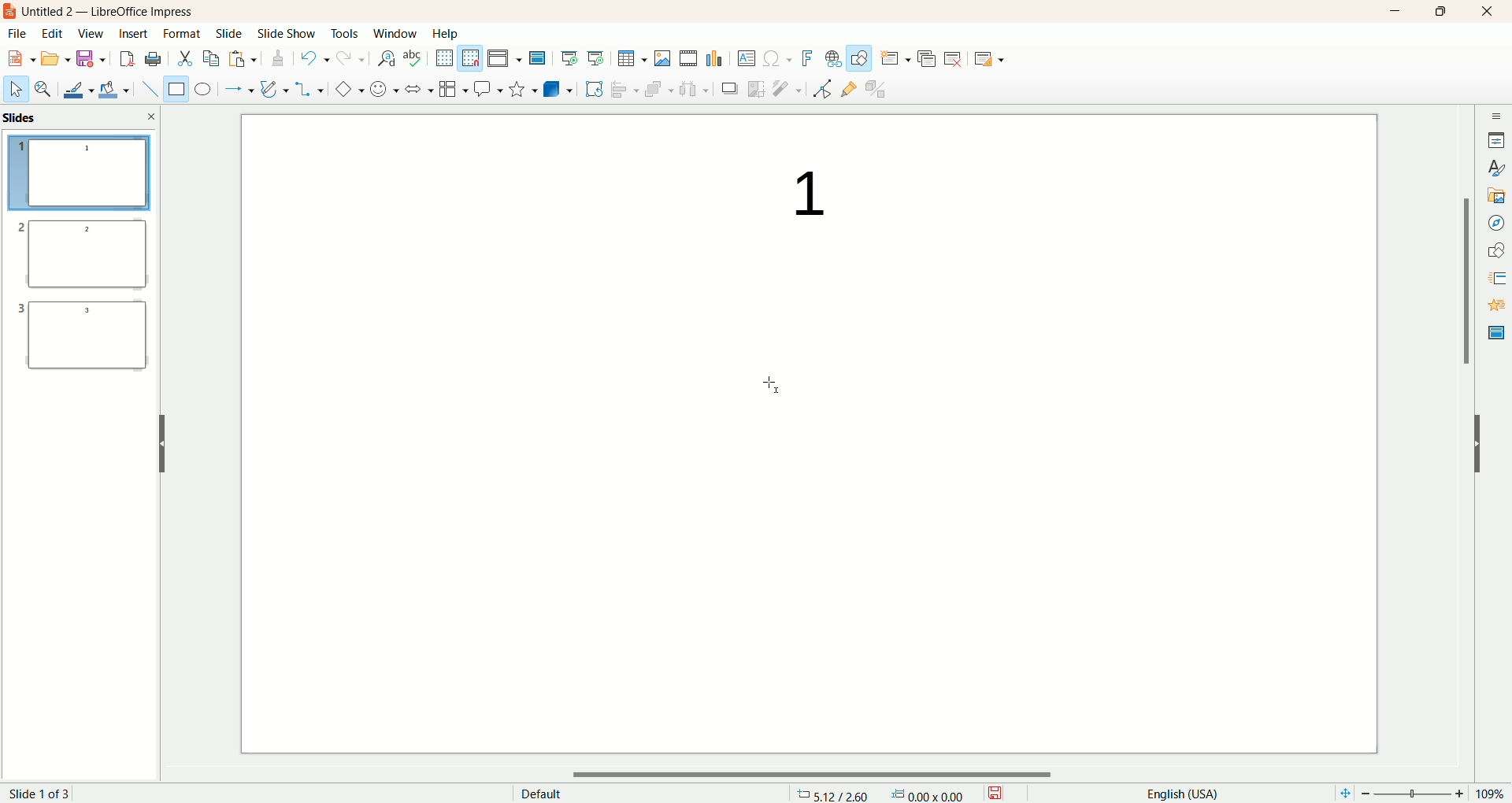  What do you see at coordinates (594, 88) in the screenshot?
I see `rotate` at bounding box center [594, 88].